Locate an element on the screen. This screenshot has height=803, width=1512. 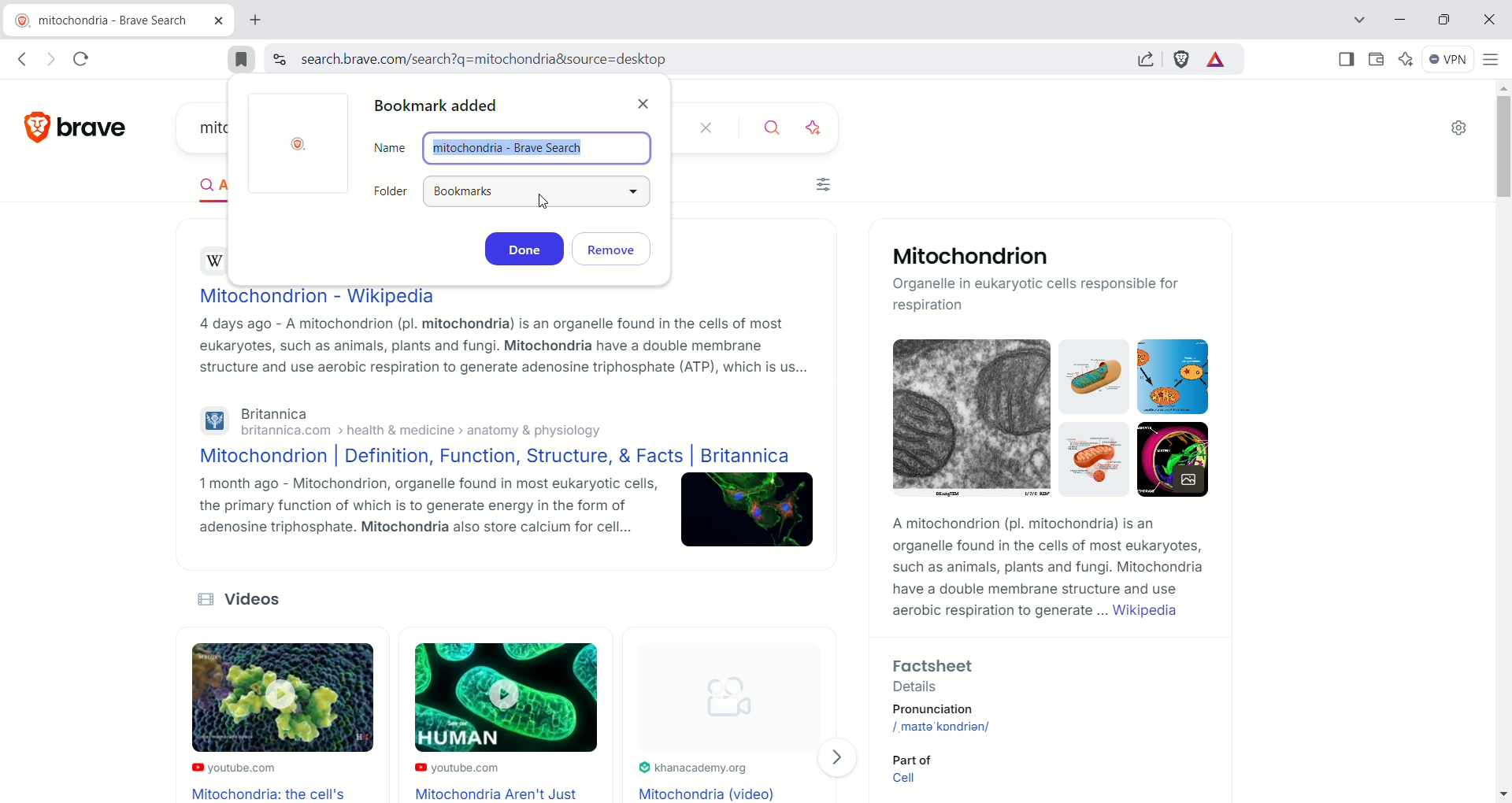
/maita kondrian/ is located at coordinates (944, 726).